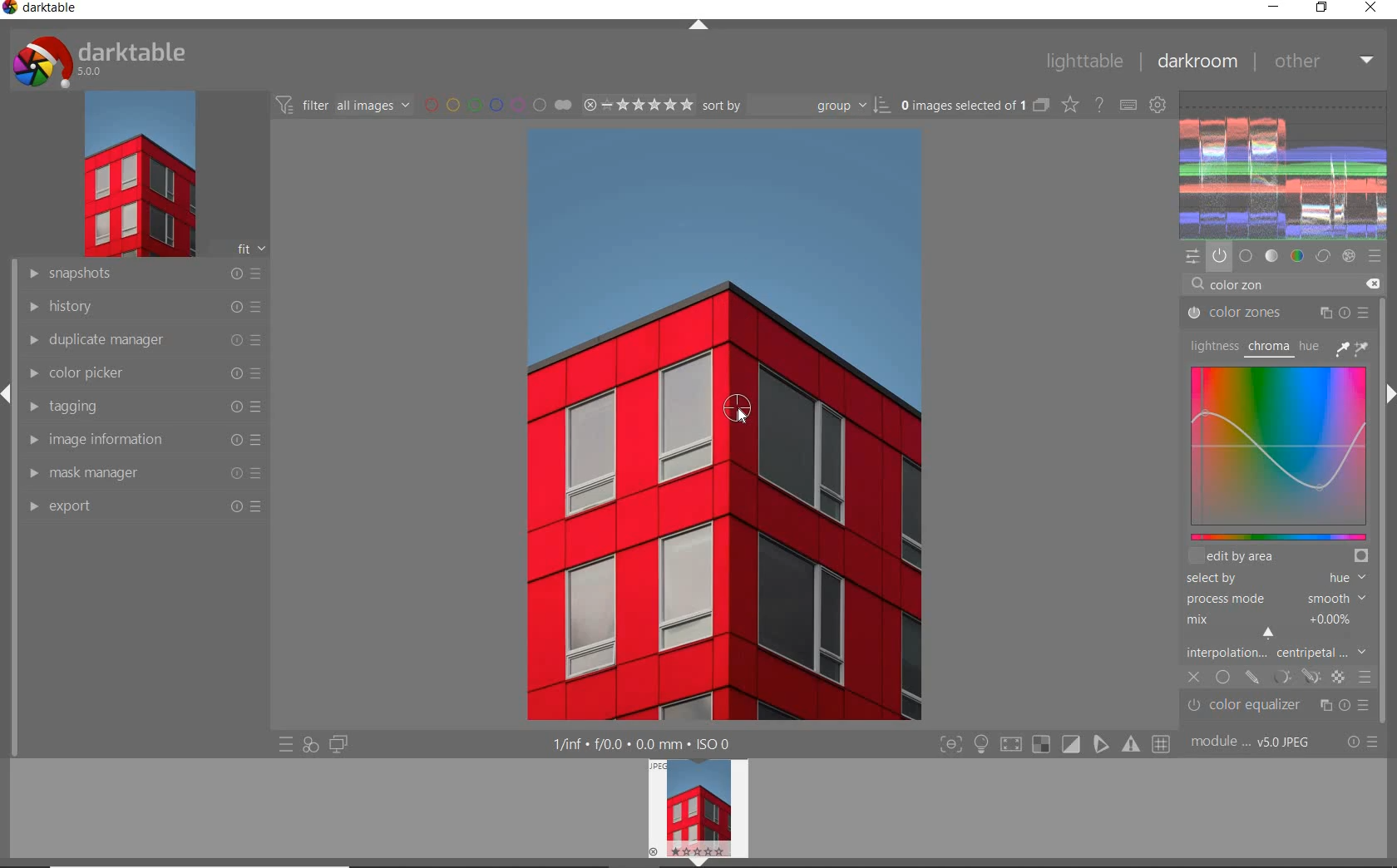 The height and width of the screenshot is (868, 1397). I want to click on color picker, so click(142, 376).